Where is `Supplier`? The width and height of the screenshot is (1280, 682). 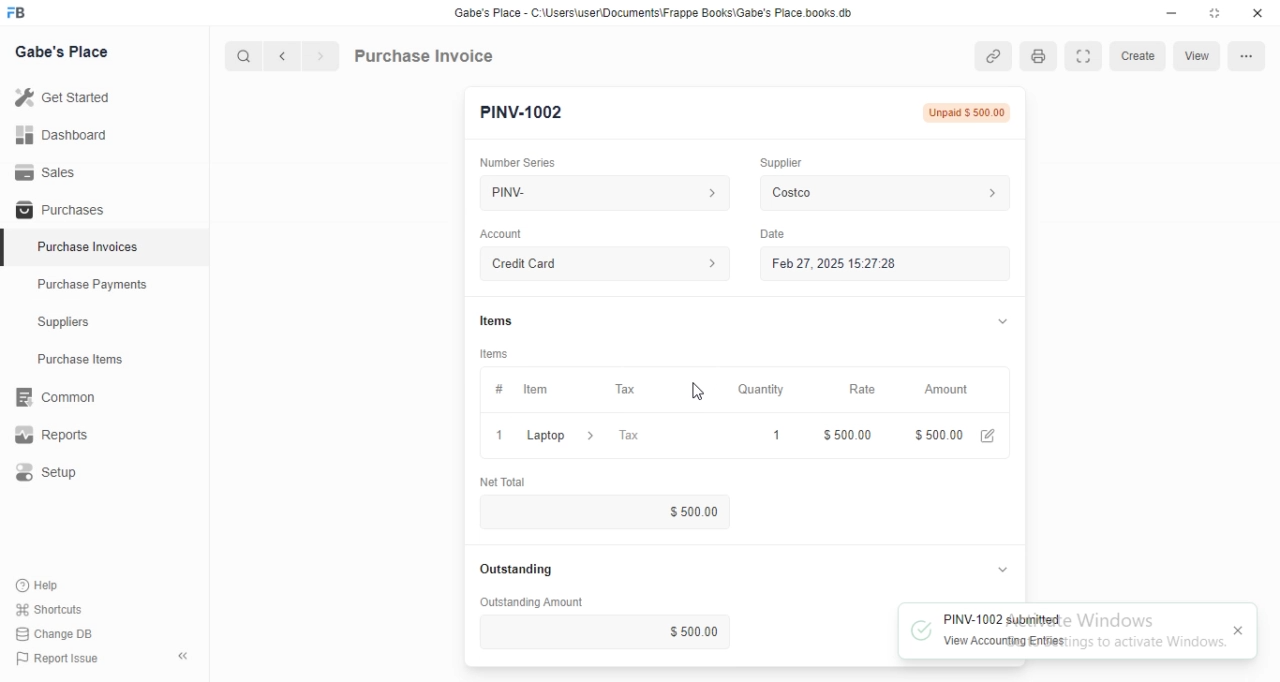 Supplier is located at coordinates (782, 163).